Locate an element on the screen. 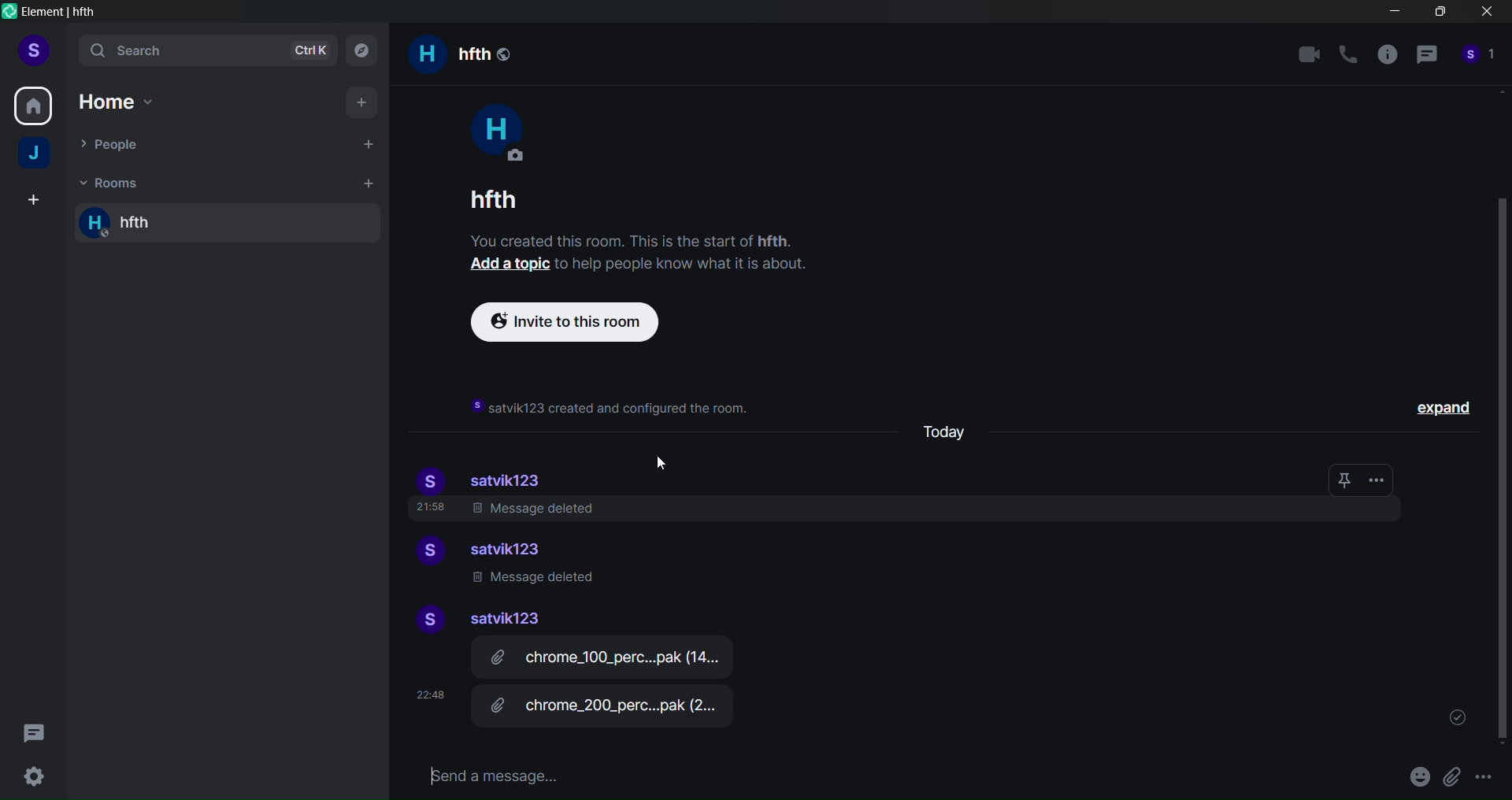 This screenshot has height=800, width=1512. home is located at coordinates (34, 103).